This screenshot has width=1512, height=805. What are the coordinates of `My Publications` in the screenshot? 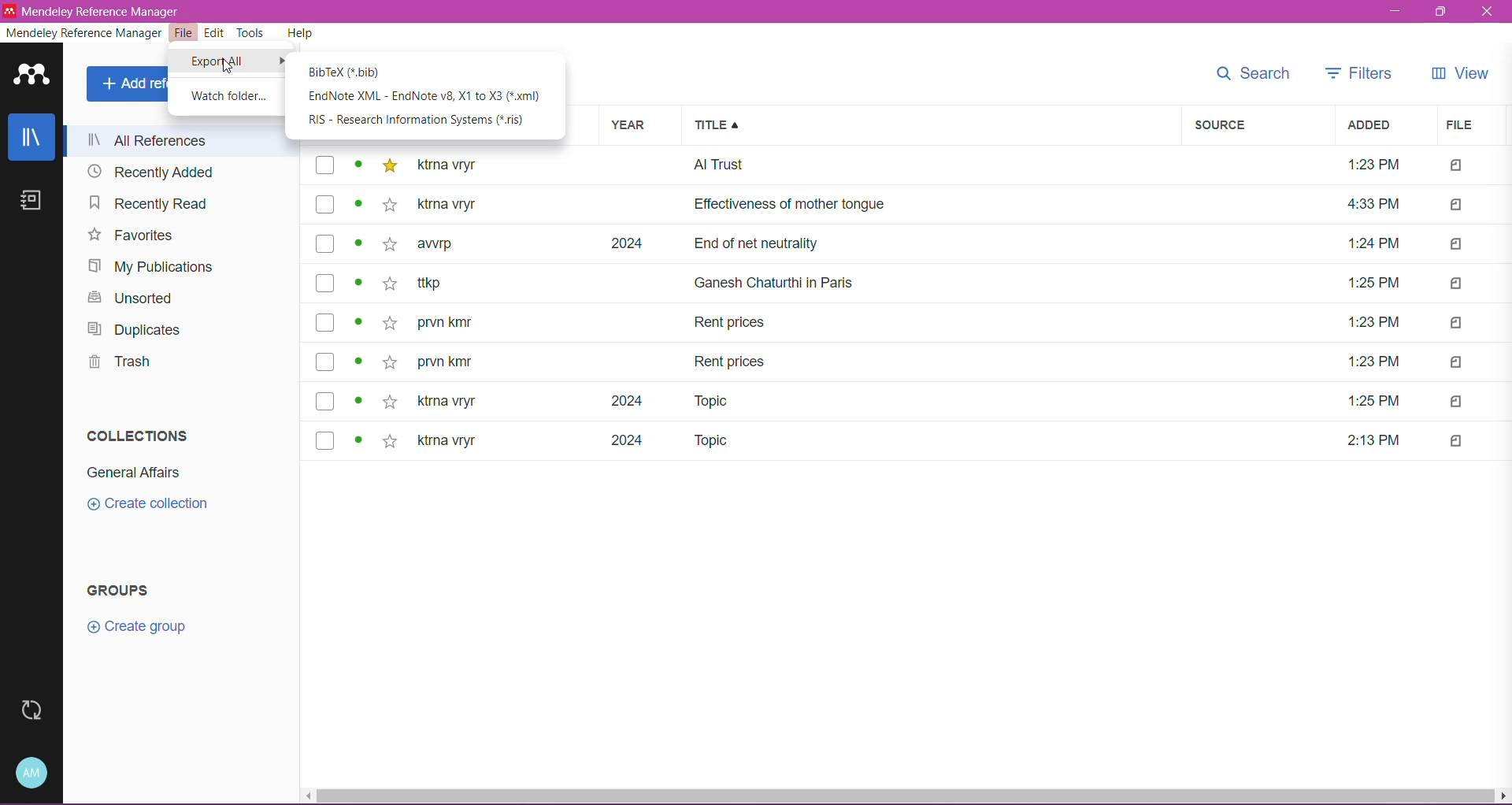 It's located at (149, 266).